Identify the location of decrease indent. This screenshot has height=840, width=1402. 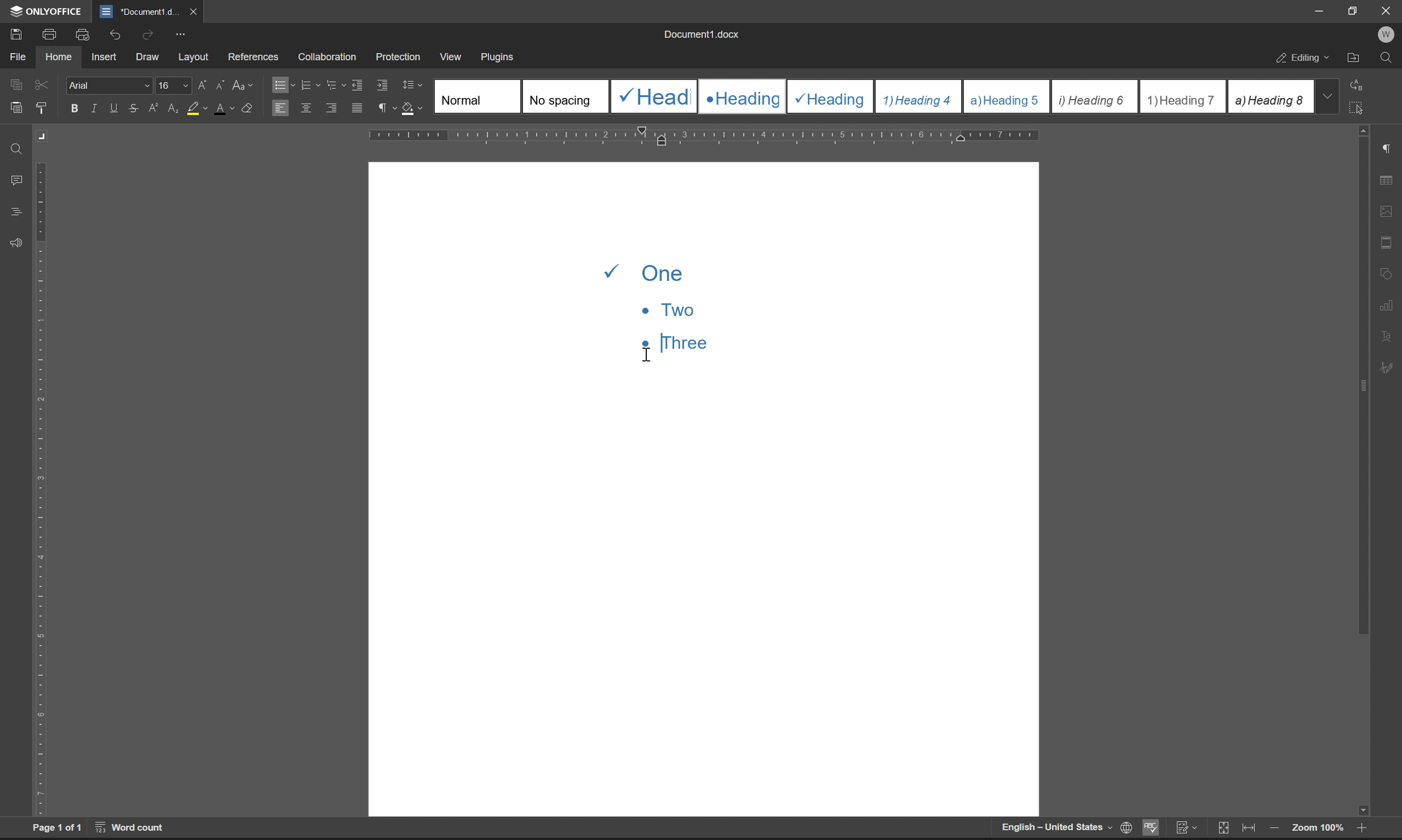
(360, 84).